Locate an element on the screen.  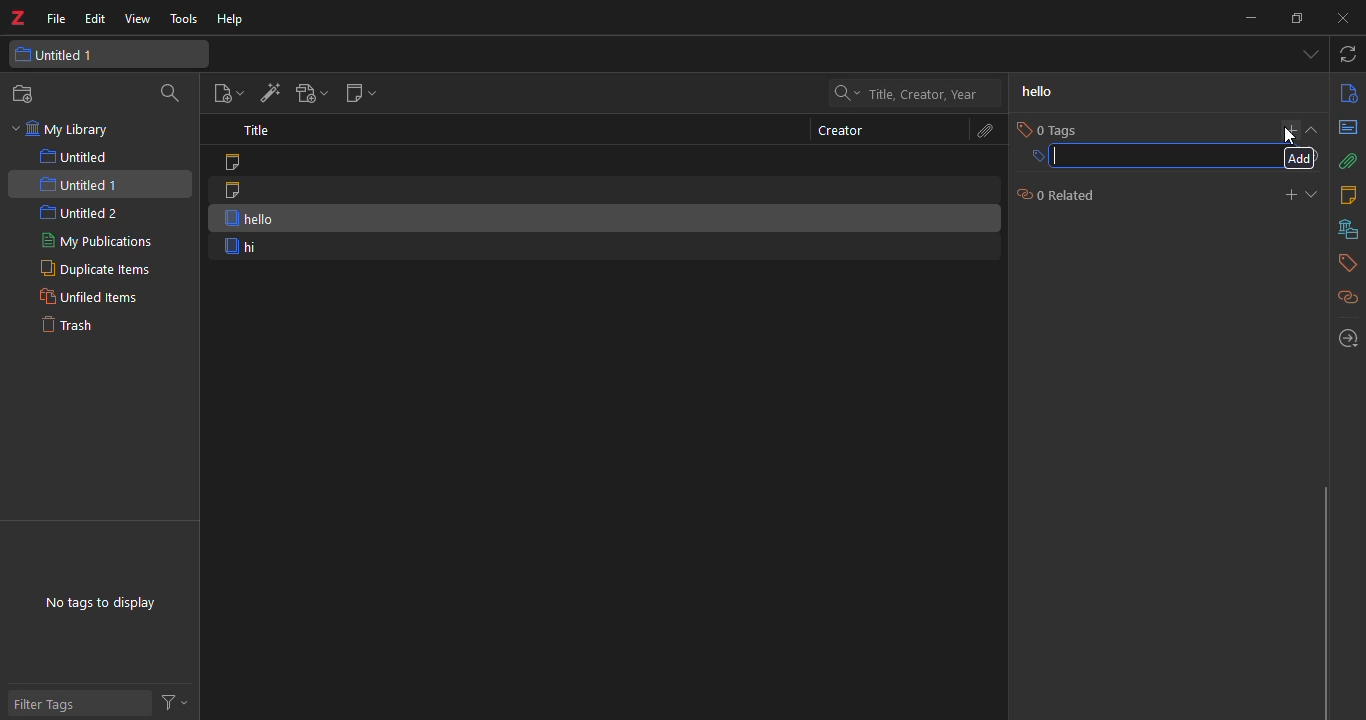
add is located at coordinates (1300, 159).